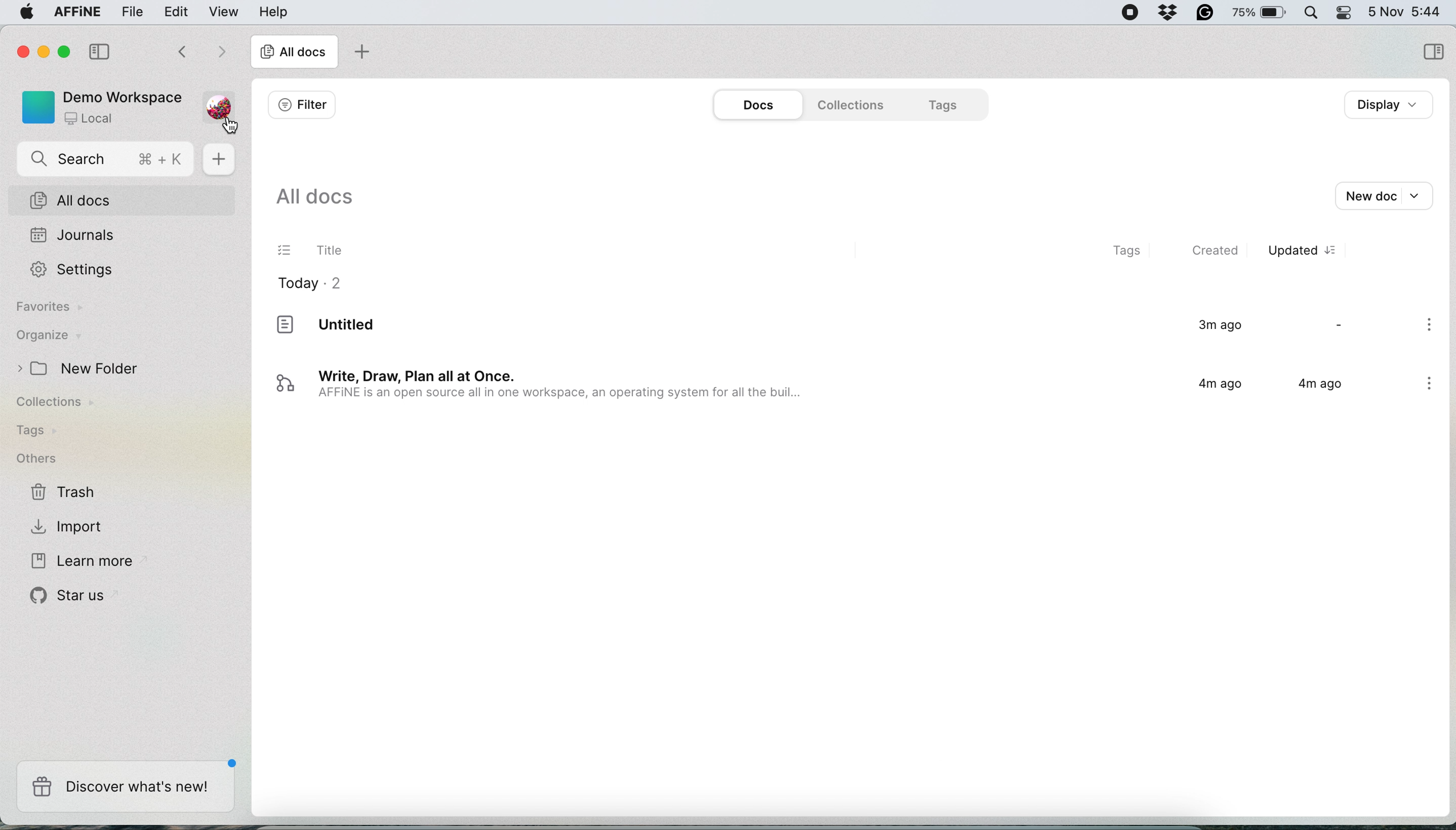  I want to click on 3m ago, so click(1213, 326).